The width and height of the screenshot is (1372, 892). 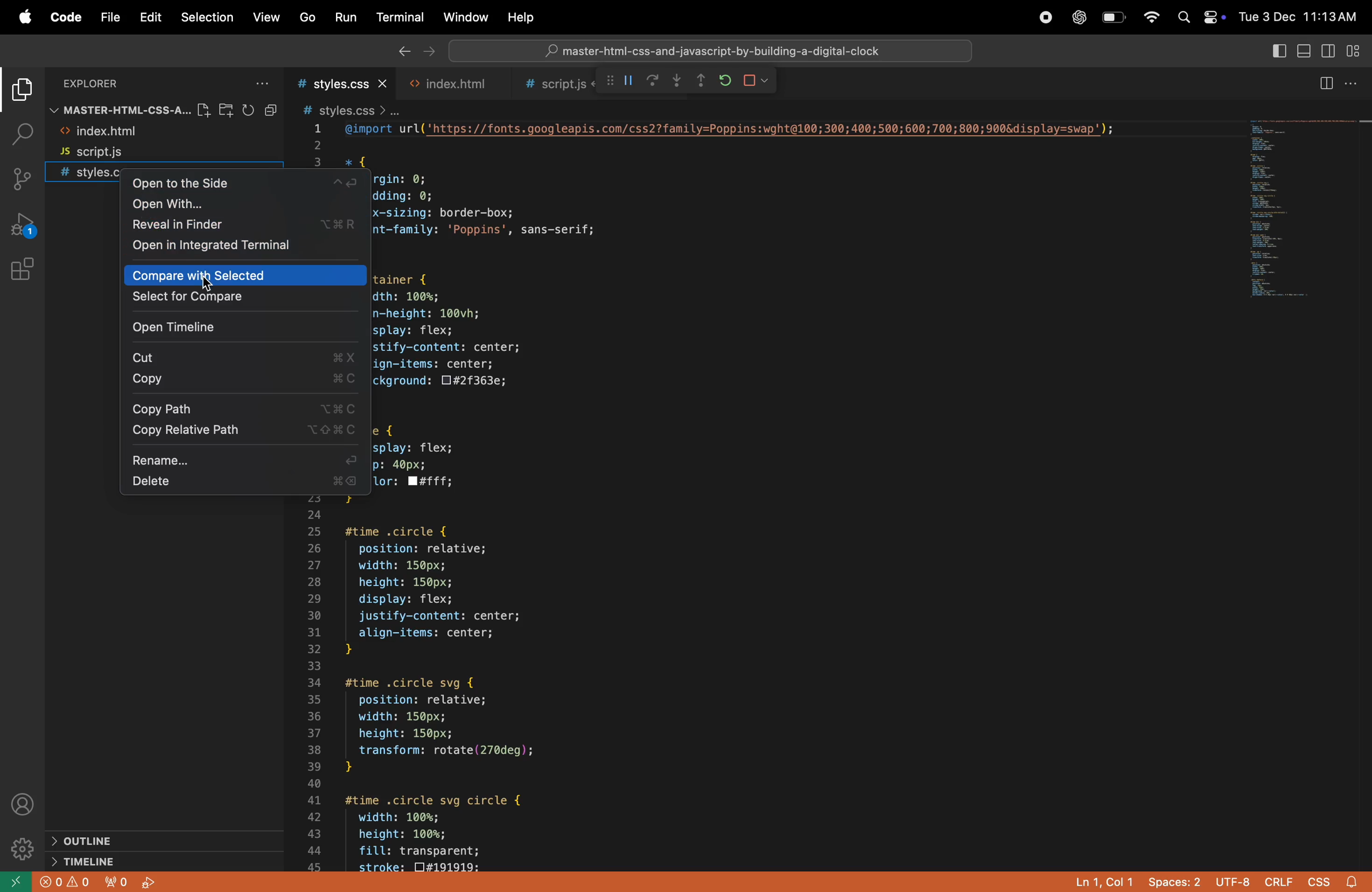 What do you see at coordinates (240, 277) in the screenshot?
I see `compare with selected` at bounding box center [240, 277].